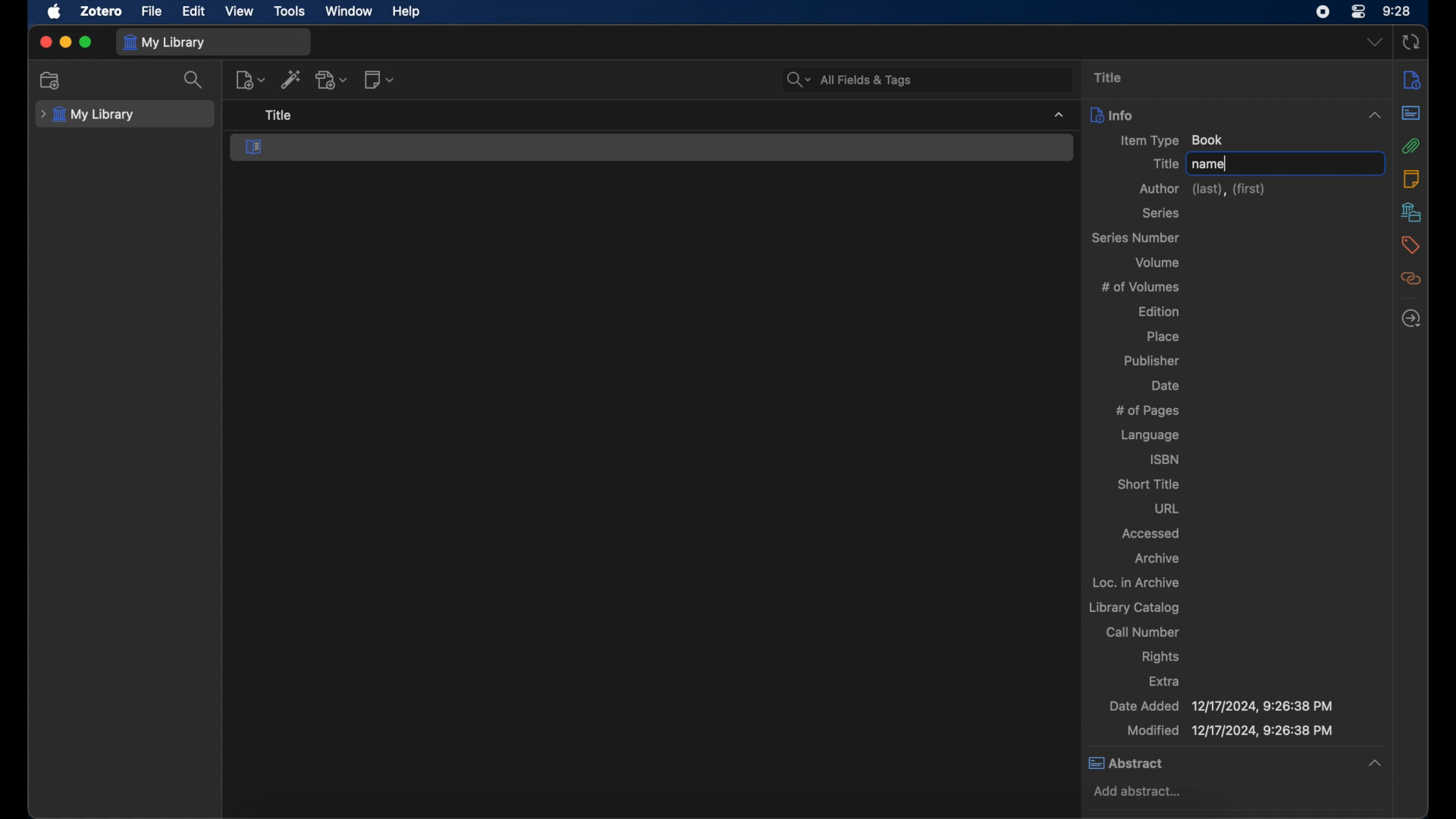 This screenshot has width=1456, height=819. What do you see at coordinates (250, 80) in the screenshot?
I see `new items` at bounding box center [250, 80].